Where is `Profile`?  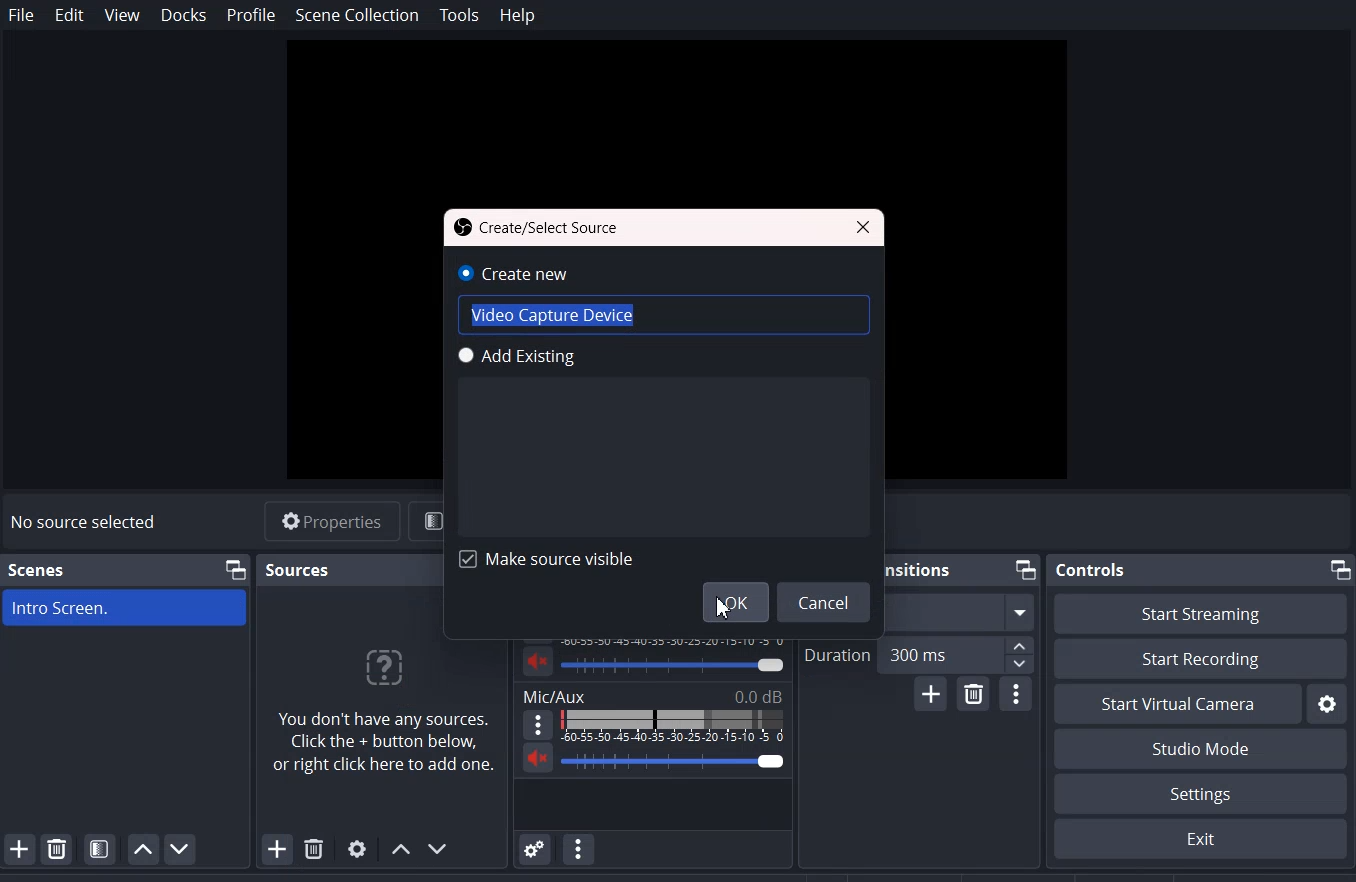 Profile is located at coordinates (251, 15).